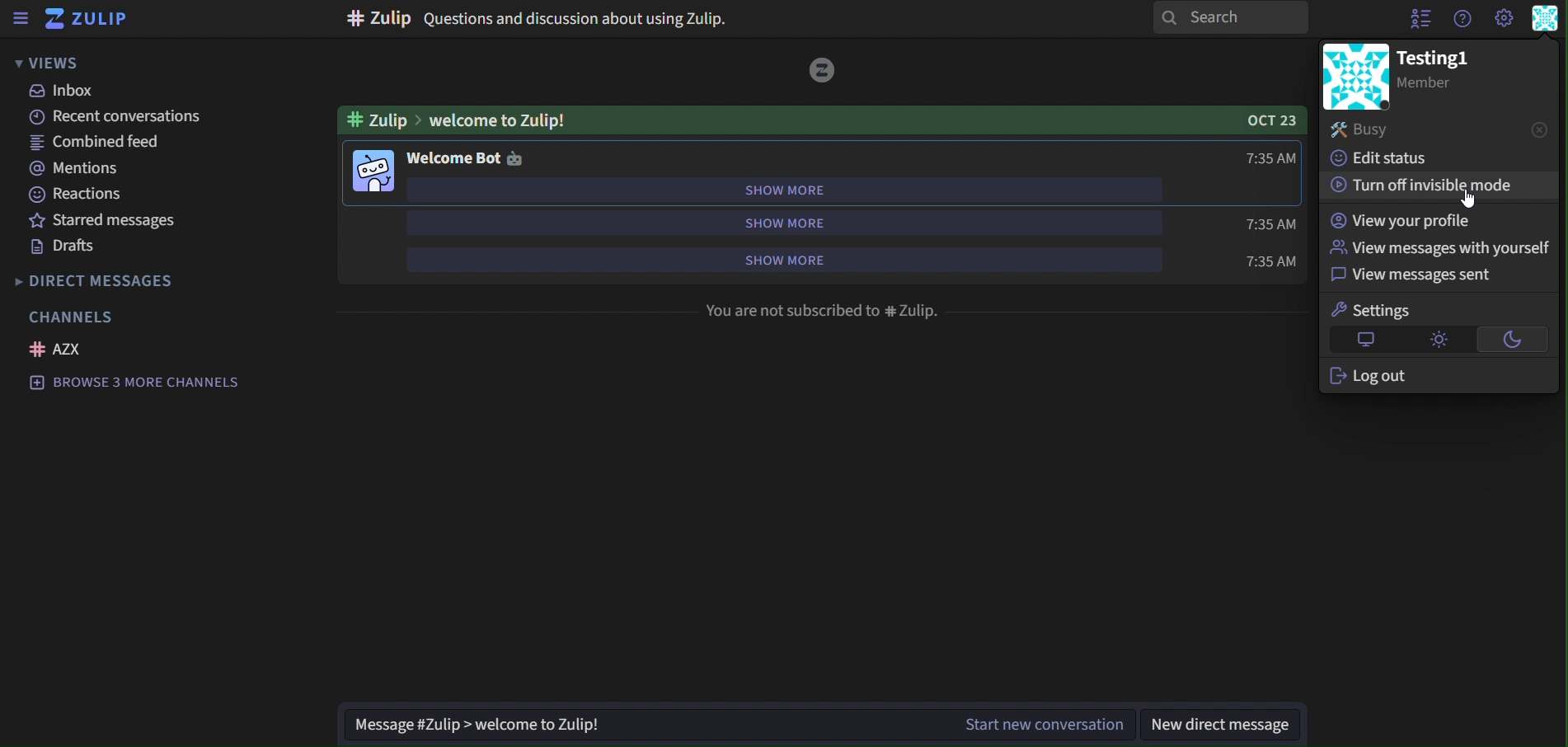 The image size is (1568, 747). I want to click on welcome bot, so click(473, 158).